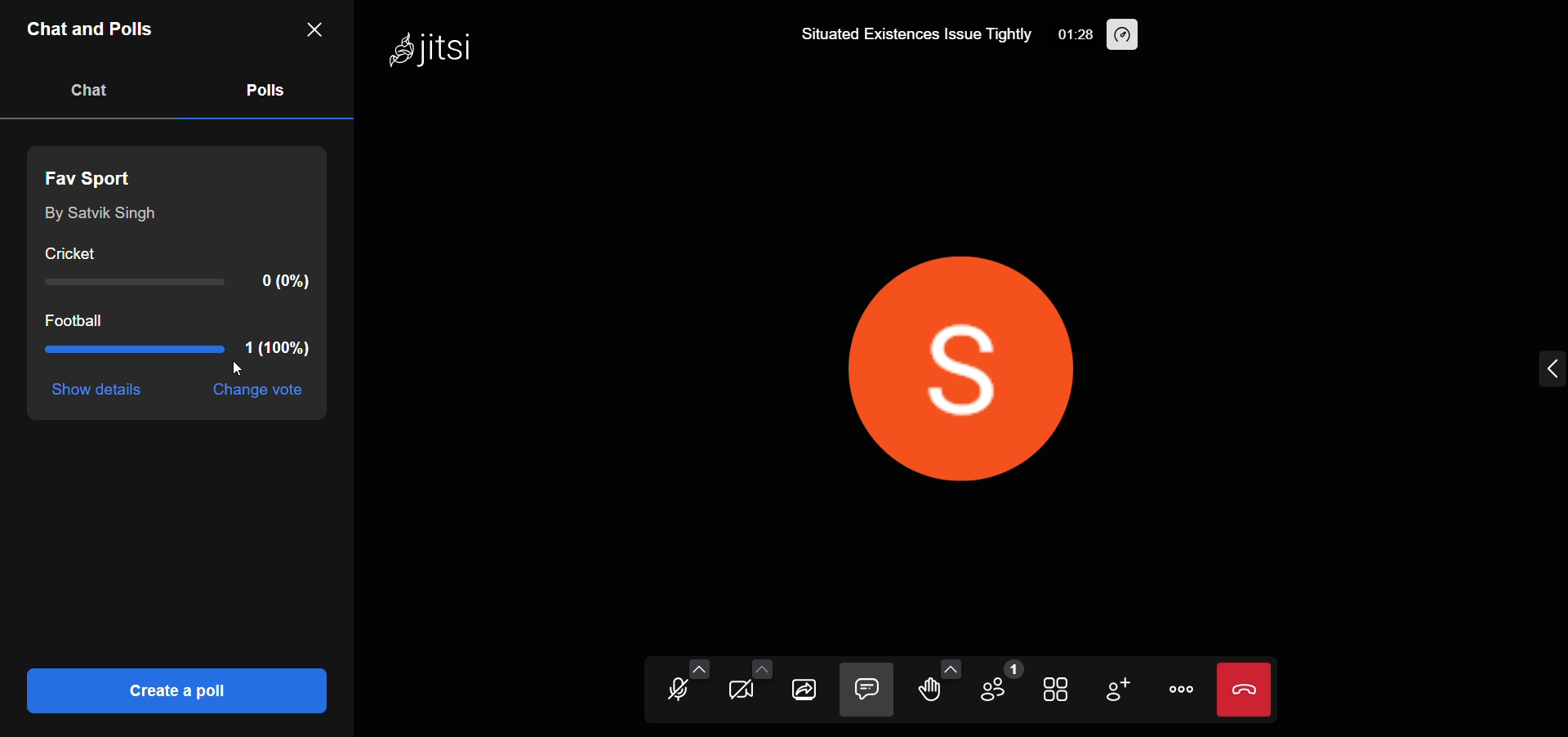  Describe the element at coordinates (256, 392) in the screenshot. I see `change vote` at that location.